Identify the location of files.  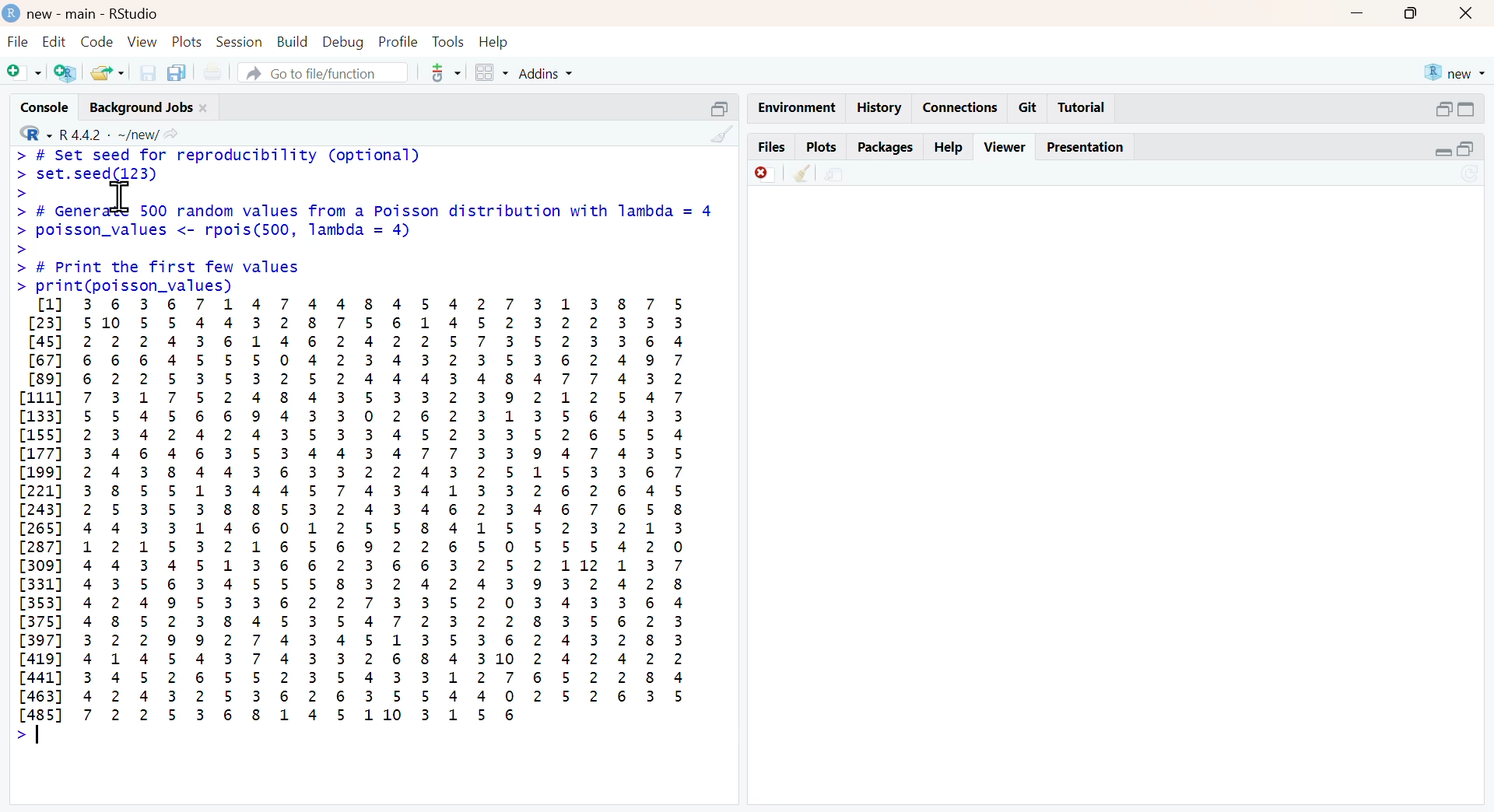
(773, 145).